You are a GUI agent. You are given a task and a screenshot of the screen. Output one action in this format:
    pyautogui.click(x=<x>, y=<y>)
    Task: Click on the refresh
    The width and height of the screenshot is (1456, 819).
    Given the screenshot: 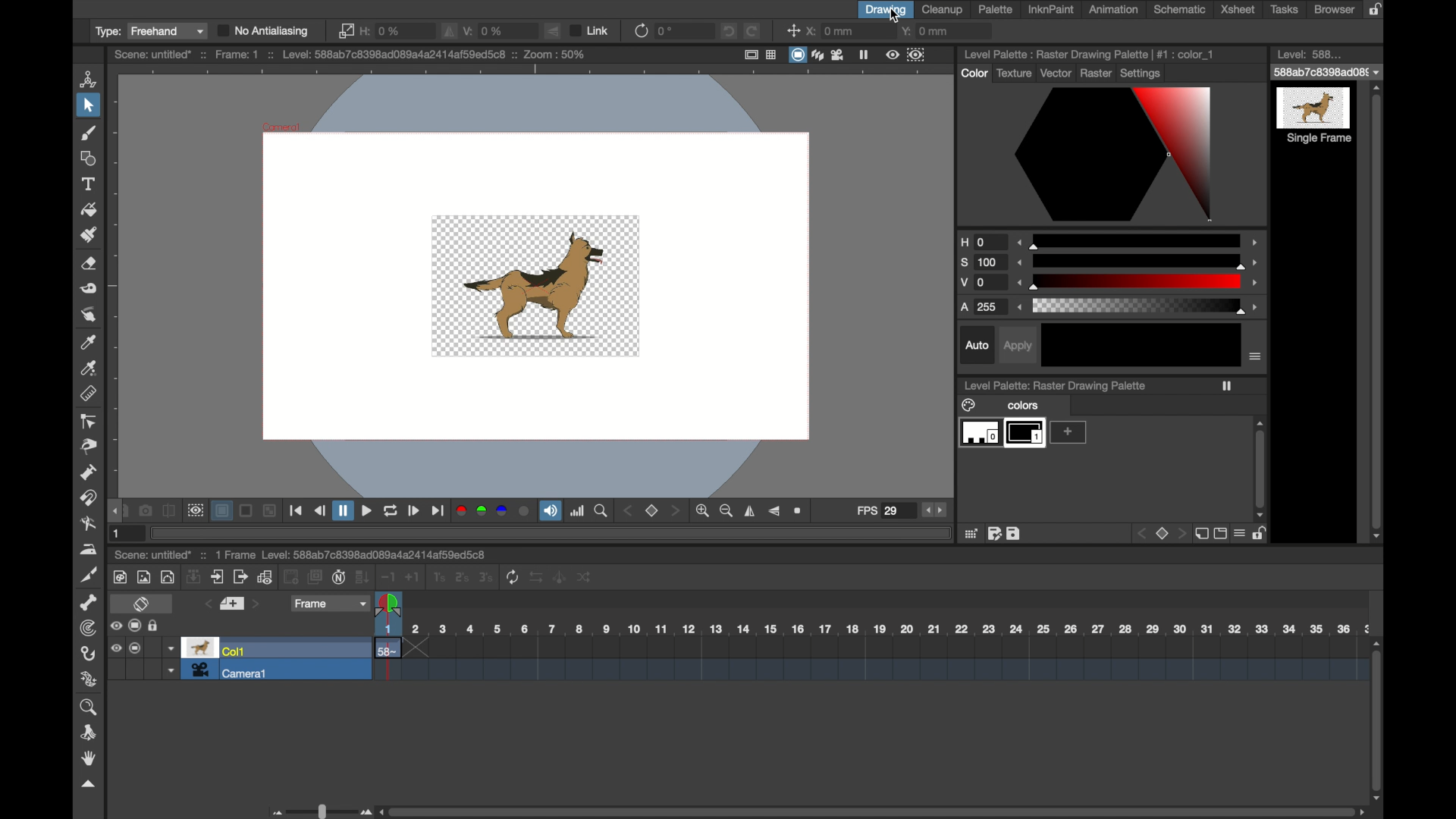 What is the action you would take?
    pyautogui.click(x=640, y=31)
    